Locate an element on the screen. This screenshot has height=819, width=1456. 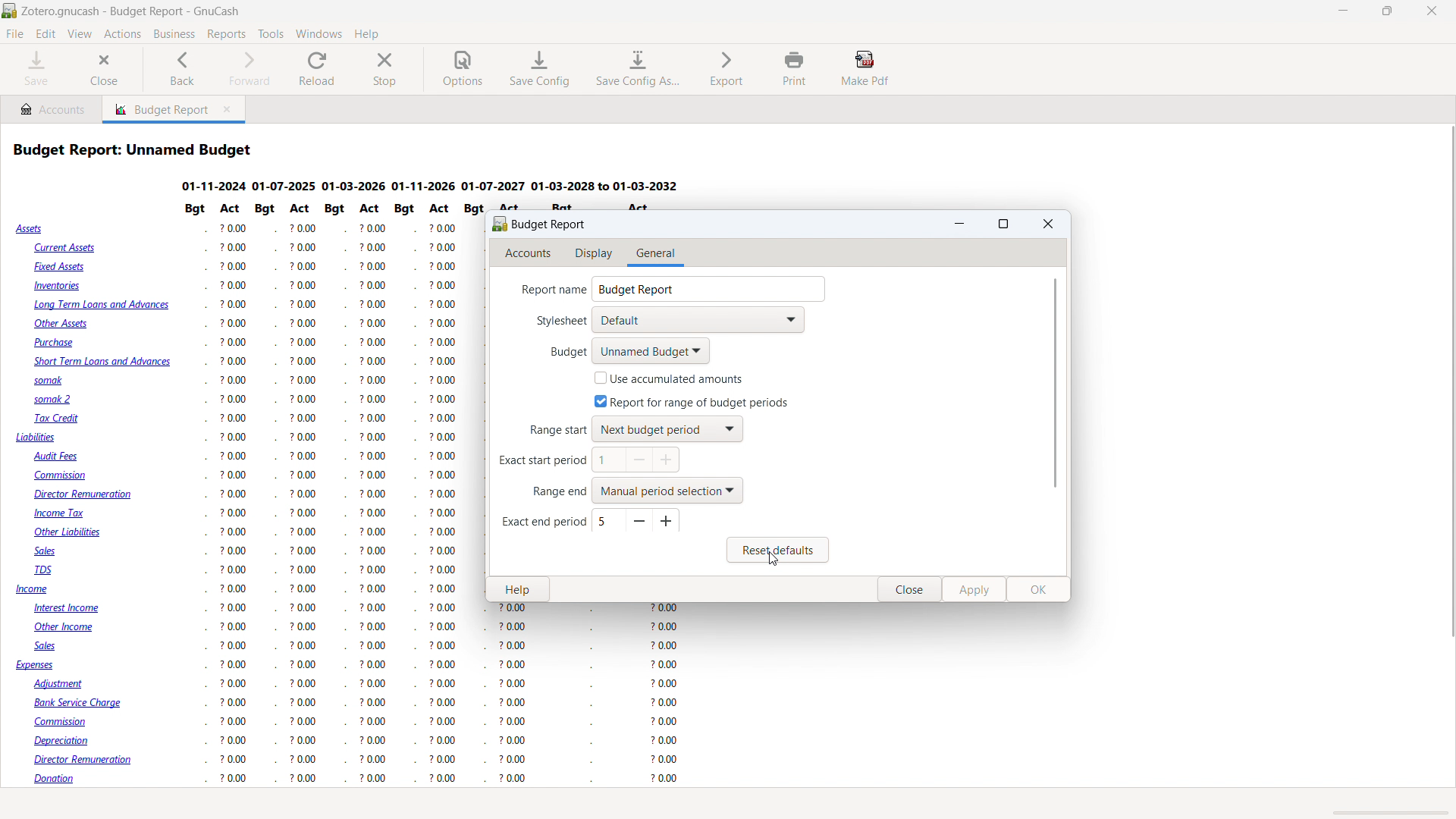
accounts tab is located at coordinates (52, 108).